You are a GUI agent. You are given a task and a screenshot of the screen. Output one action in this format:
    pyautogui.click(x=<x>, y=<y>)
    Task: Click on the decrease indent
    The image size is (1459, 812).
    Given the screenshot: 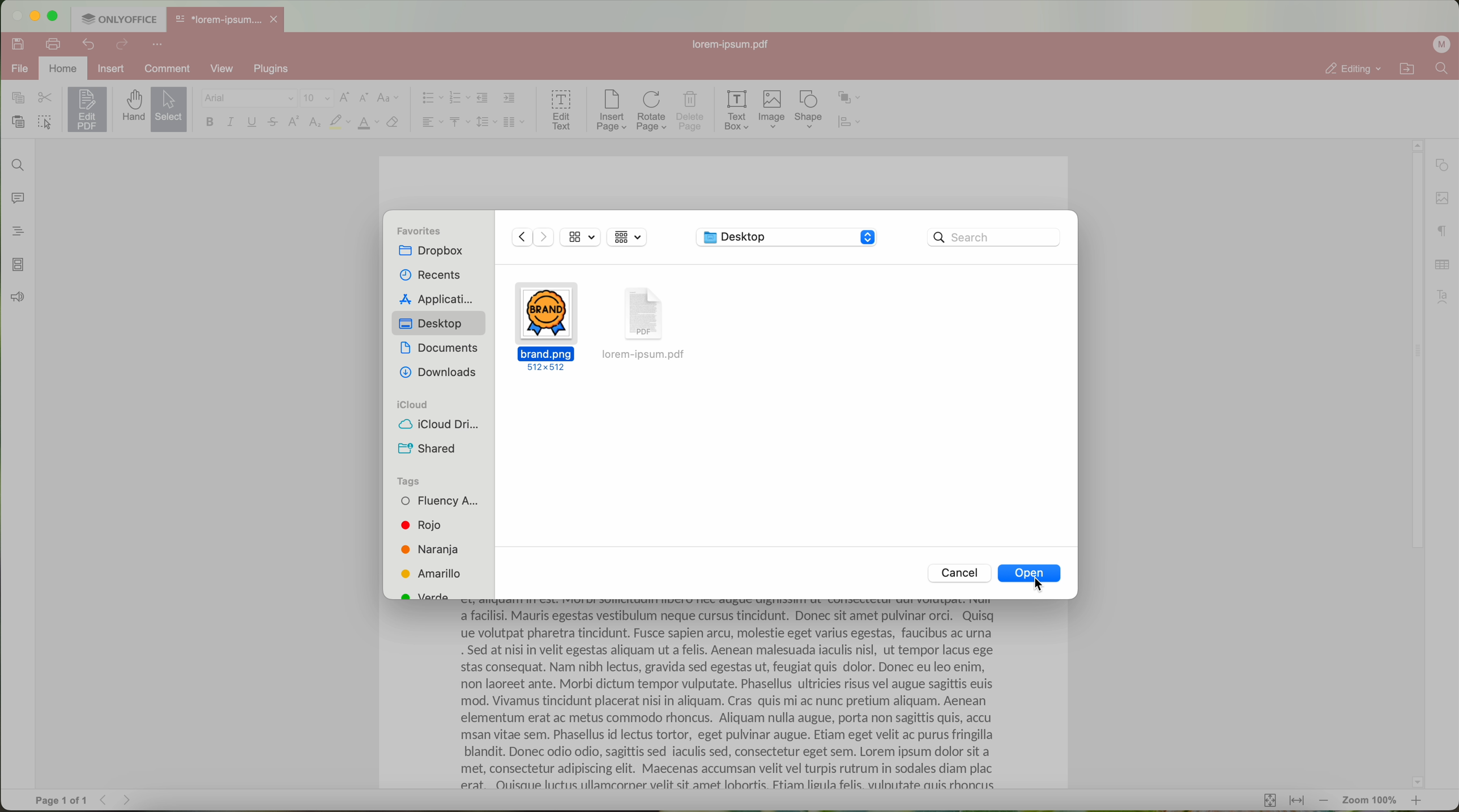 What is the action you would take?
    pyautogui.click(x=483, y=98)
    